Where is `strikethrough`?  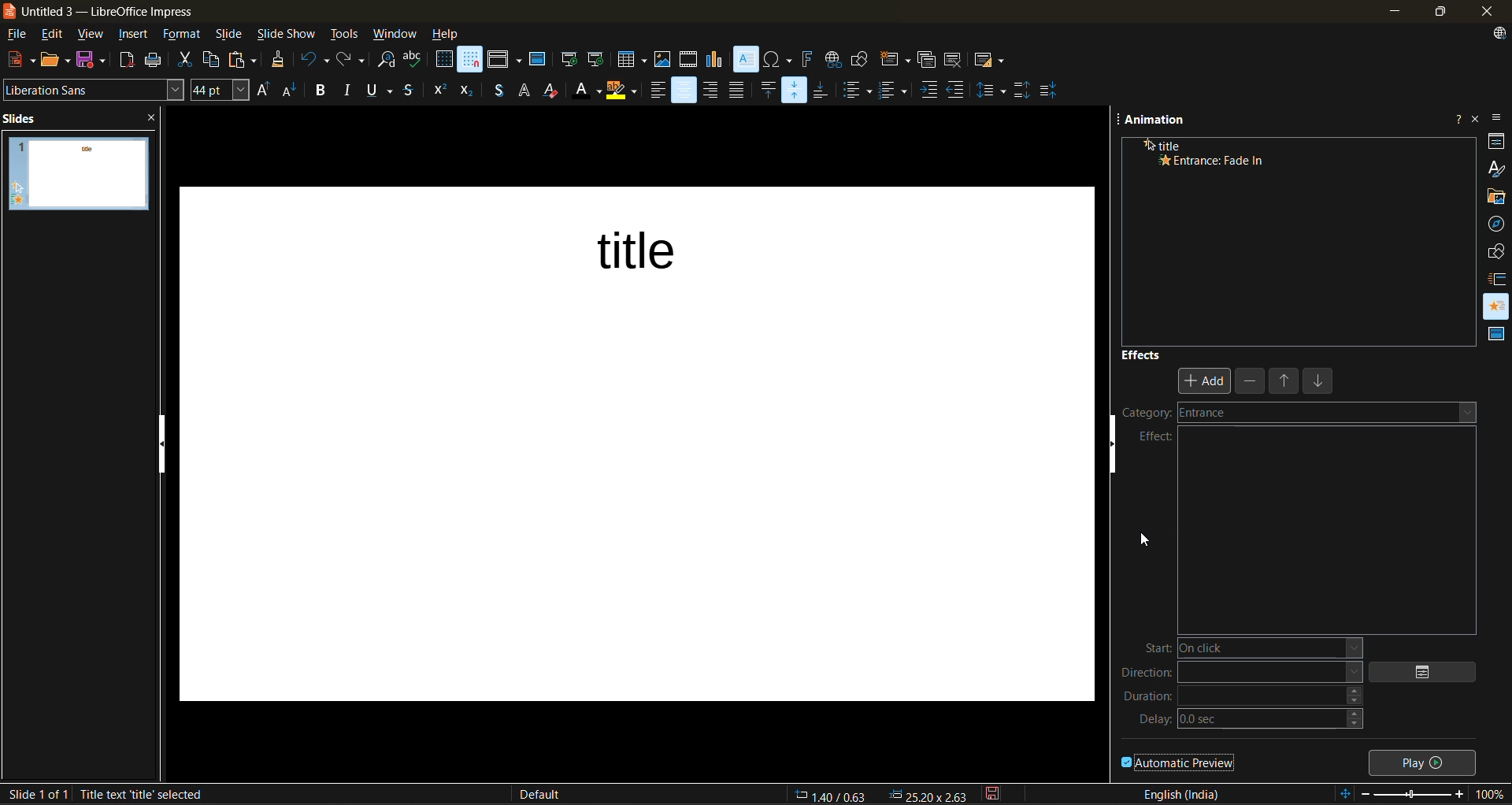
strikethrough is located at coordinates (409, 92).